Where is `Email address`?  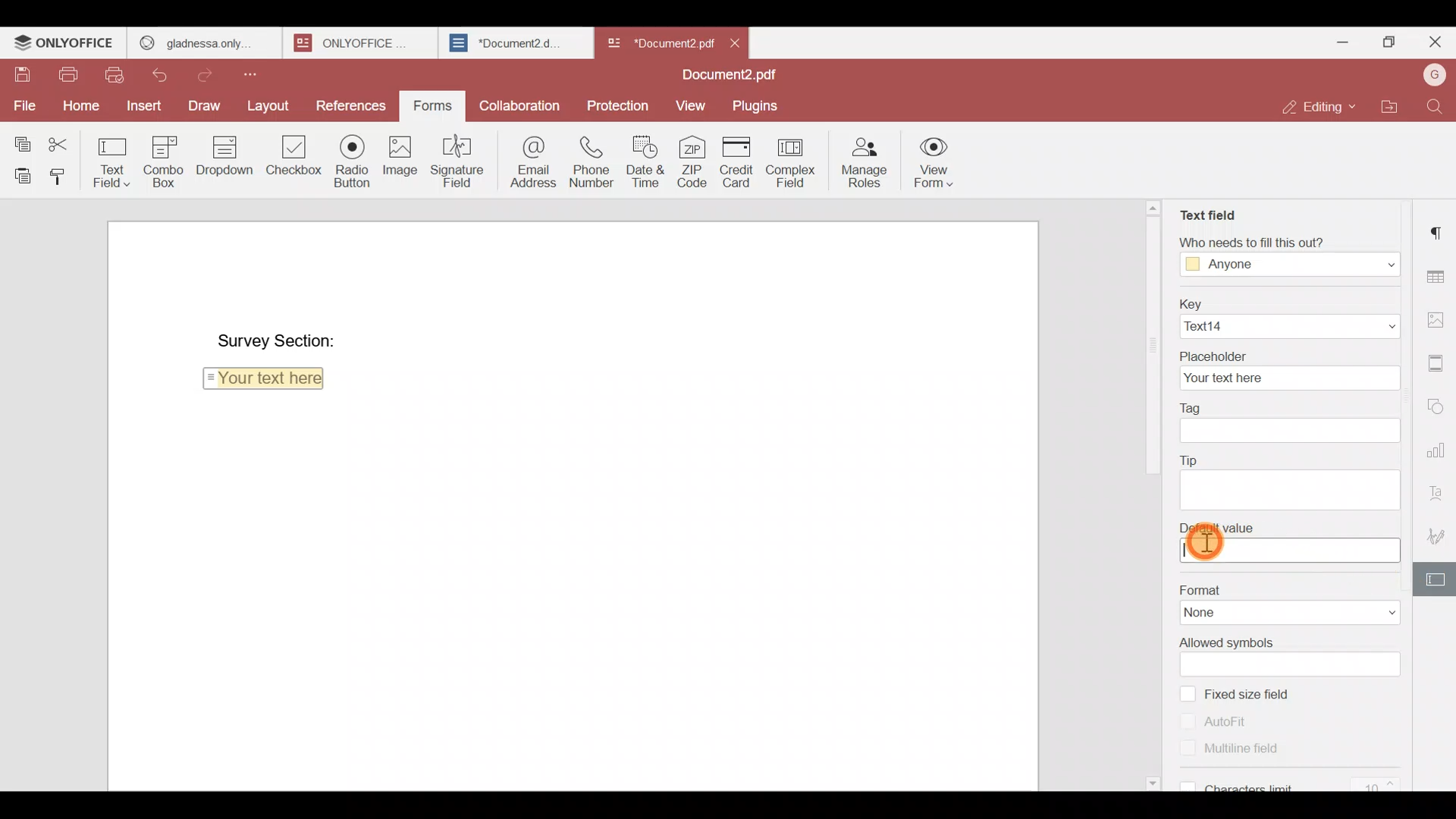
Email address is located at coordinates (531, 160).